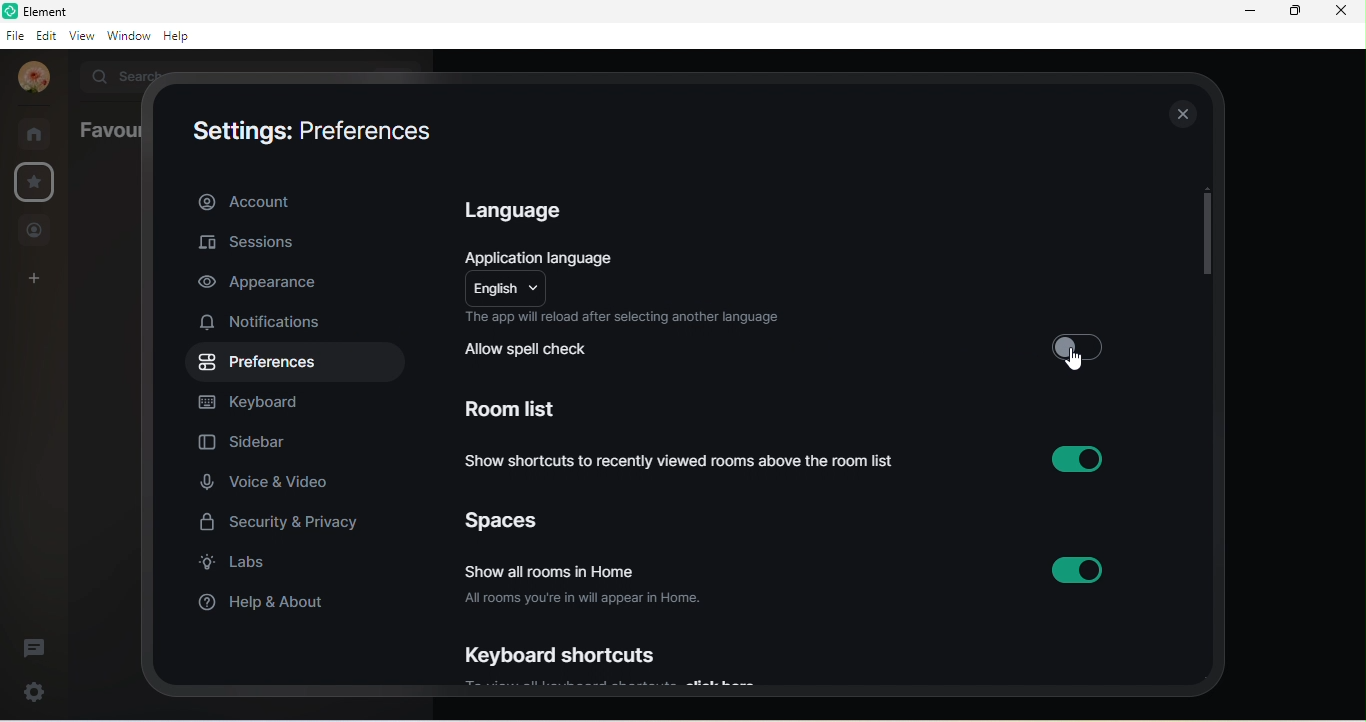 The width and height of the screenshot is (1366, 722). I want to click on security and privacy, so click(283, 520).